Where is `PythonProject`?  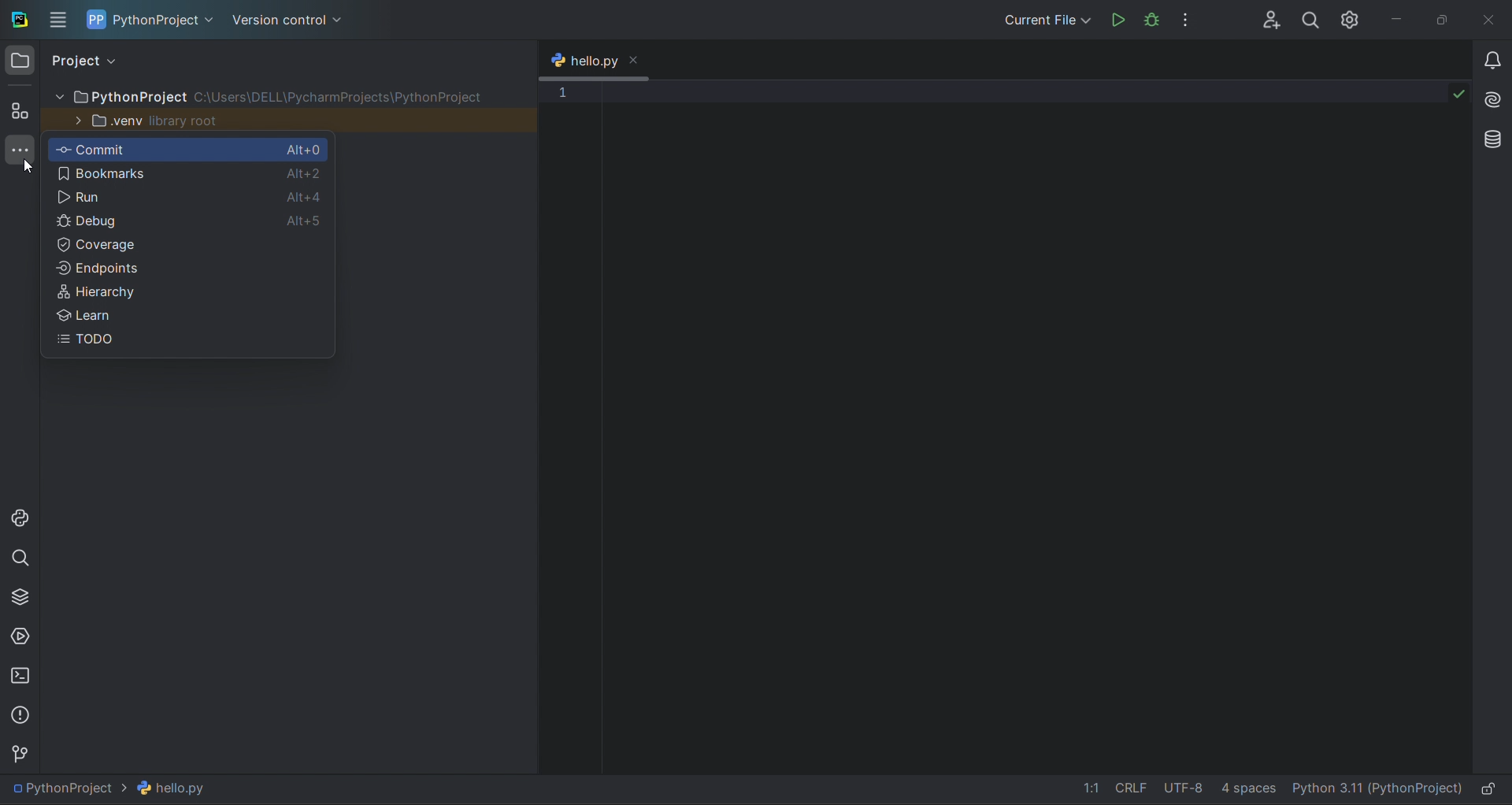
PythonProject is located at coordinates (120, 97).